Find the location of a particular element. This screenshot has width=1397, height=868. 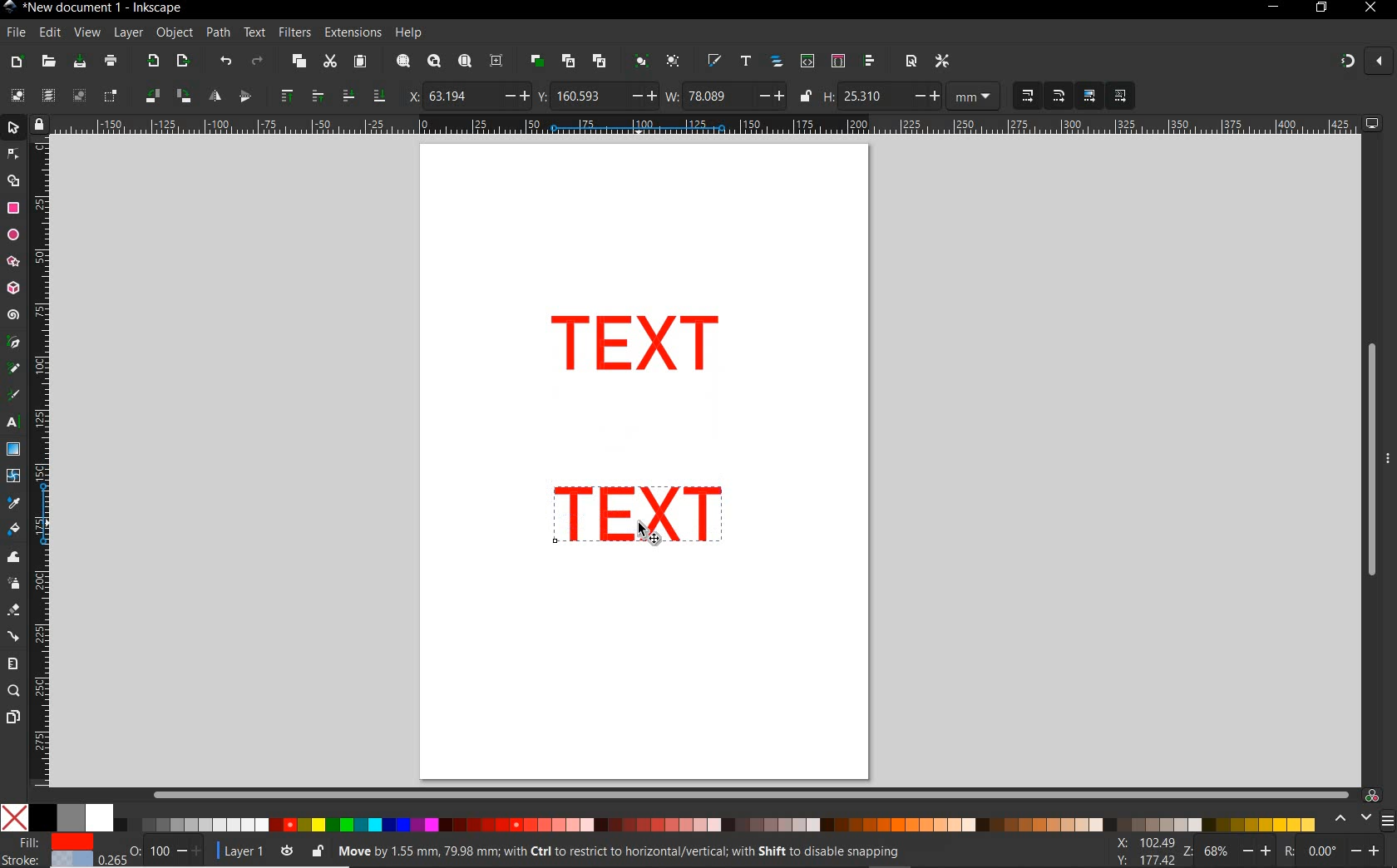

no objects selected is located at coordinates (637, 851).